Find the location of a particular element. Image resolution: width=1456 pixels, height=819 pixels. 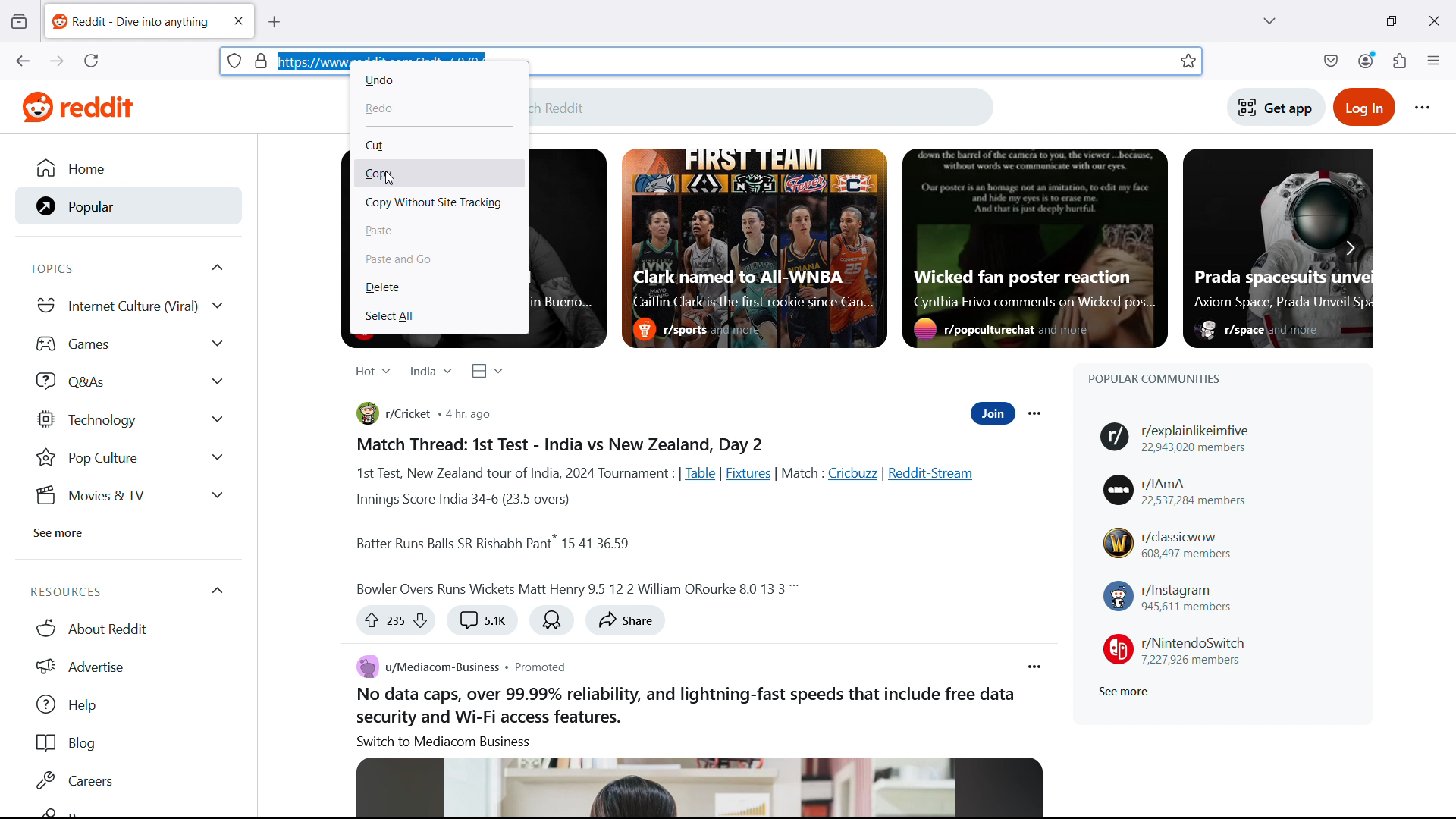

copy is located at coordinates (441, 174).